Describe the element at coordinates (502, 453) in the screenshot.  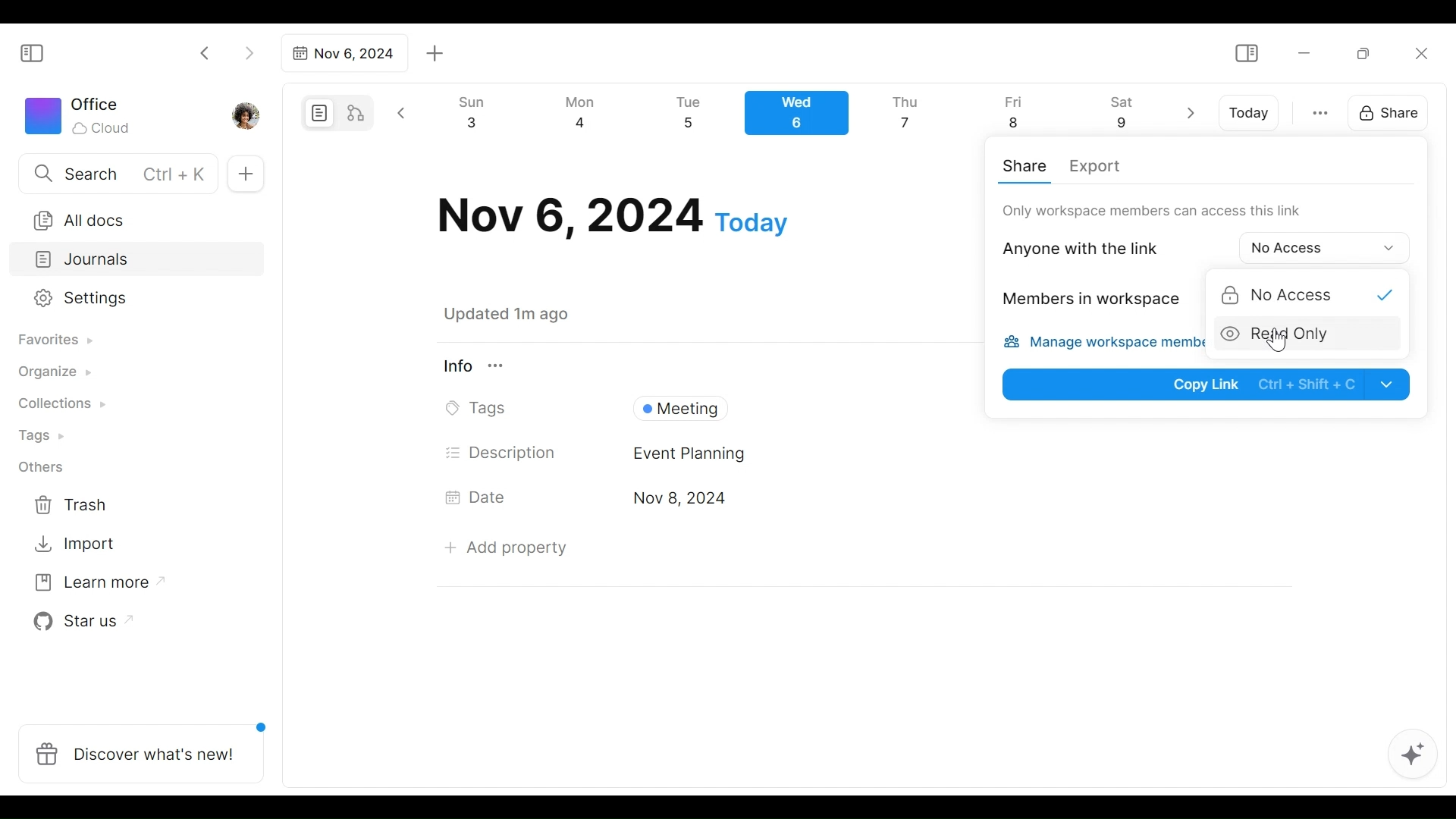
I see `Description` at that location.